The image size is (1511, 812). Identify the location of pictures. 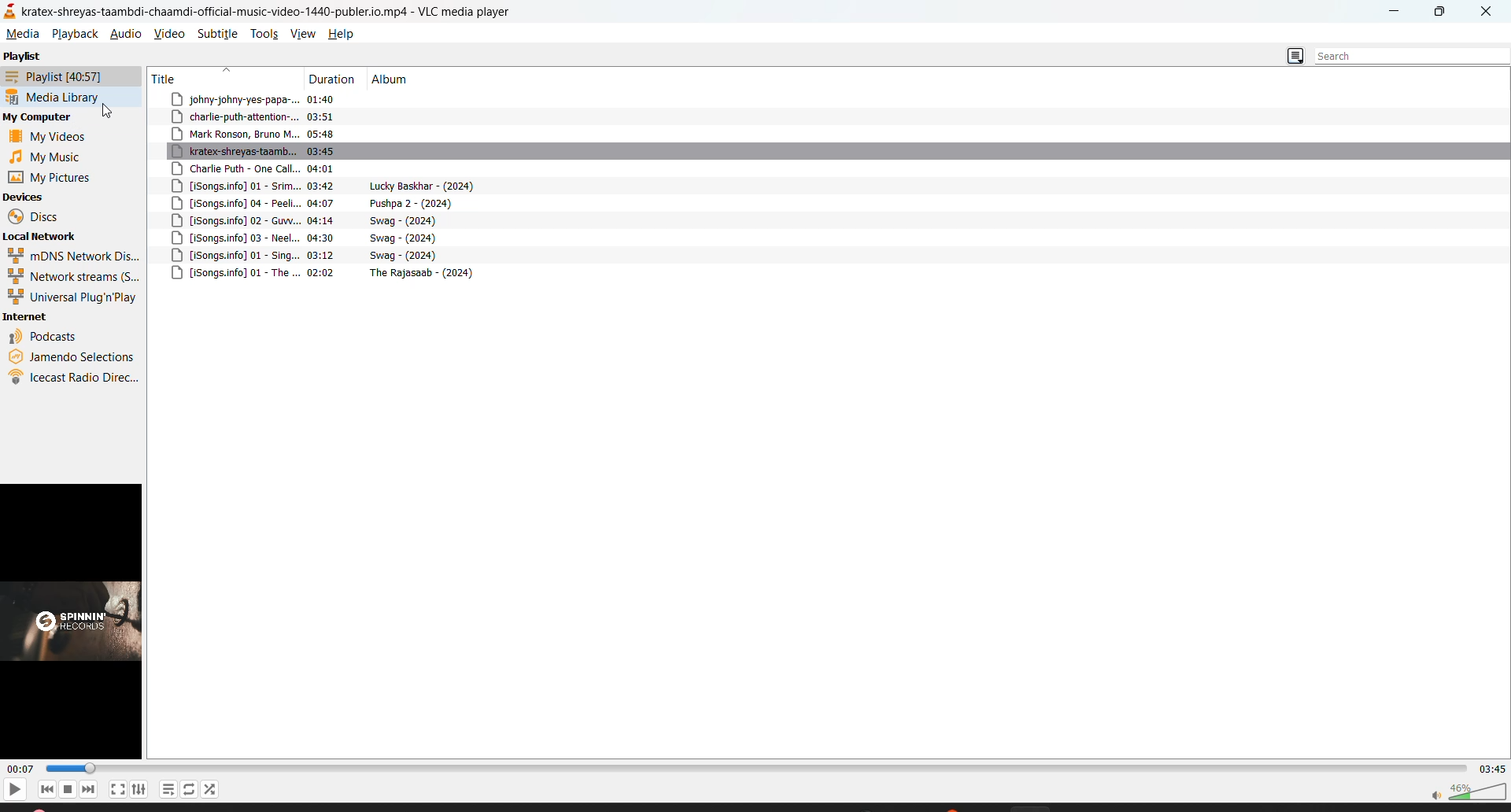
(54, 179).